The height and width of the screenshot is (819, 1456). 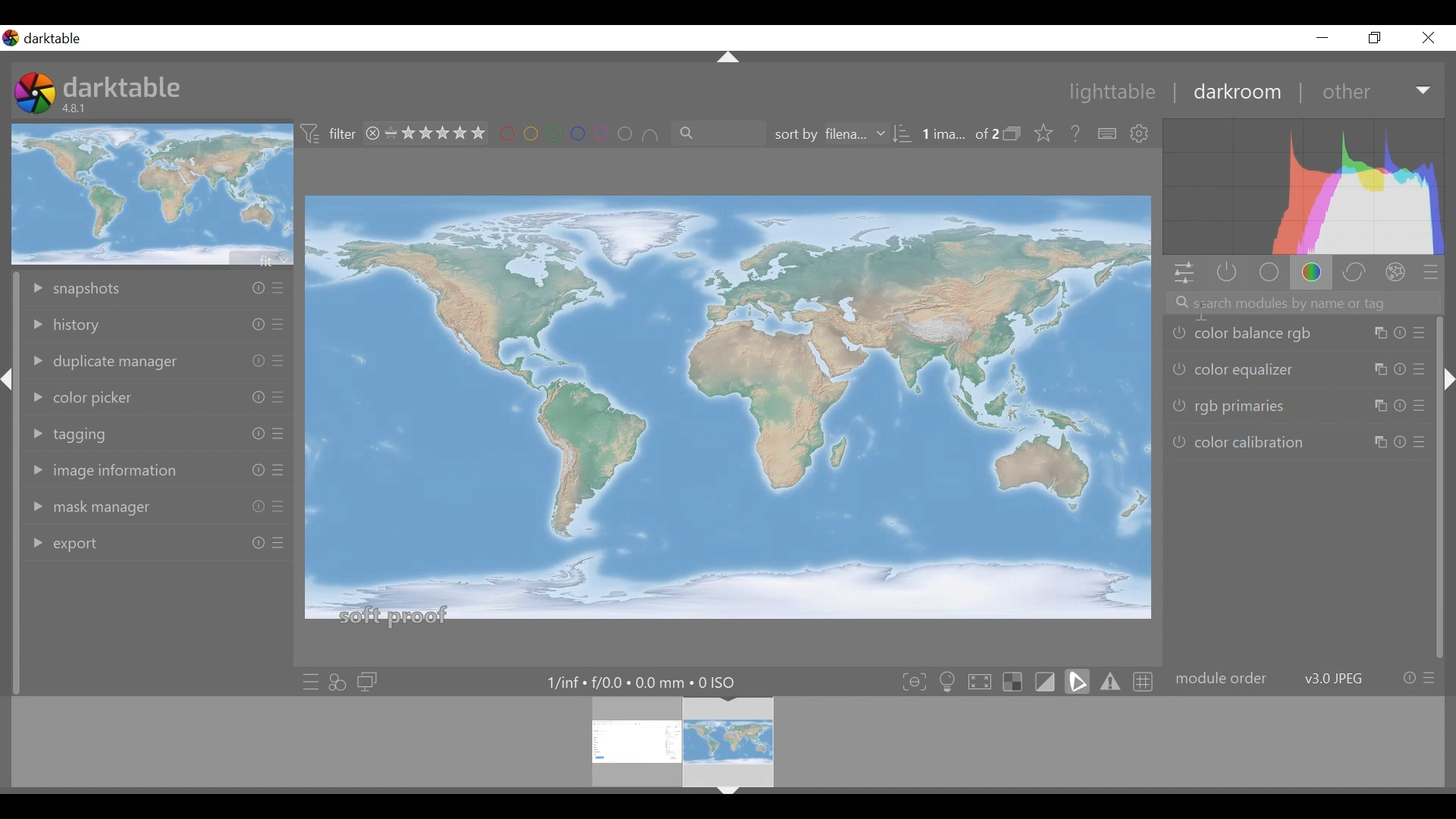 What do you see at coordinates (723, 742) in the screenshot?
I see `filmstrip` at bounding box center [723, 742].